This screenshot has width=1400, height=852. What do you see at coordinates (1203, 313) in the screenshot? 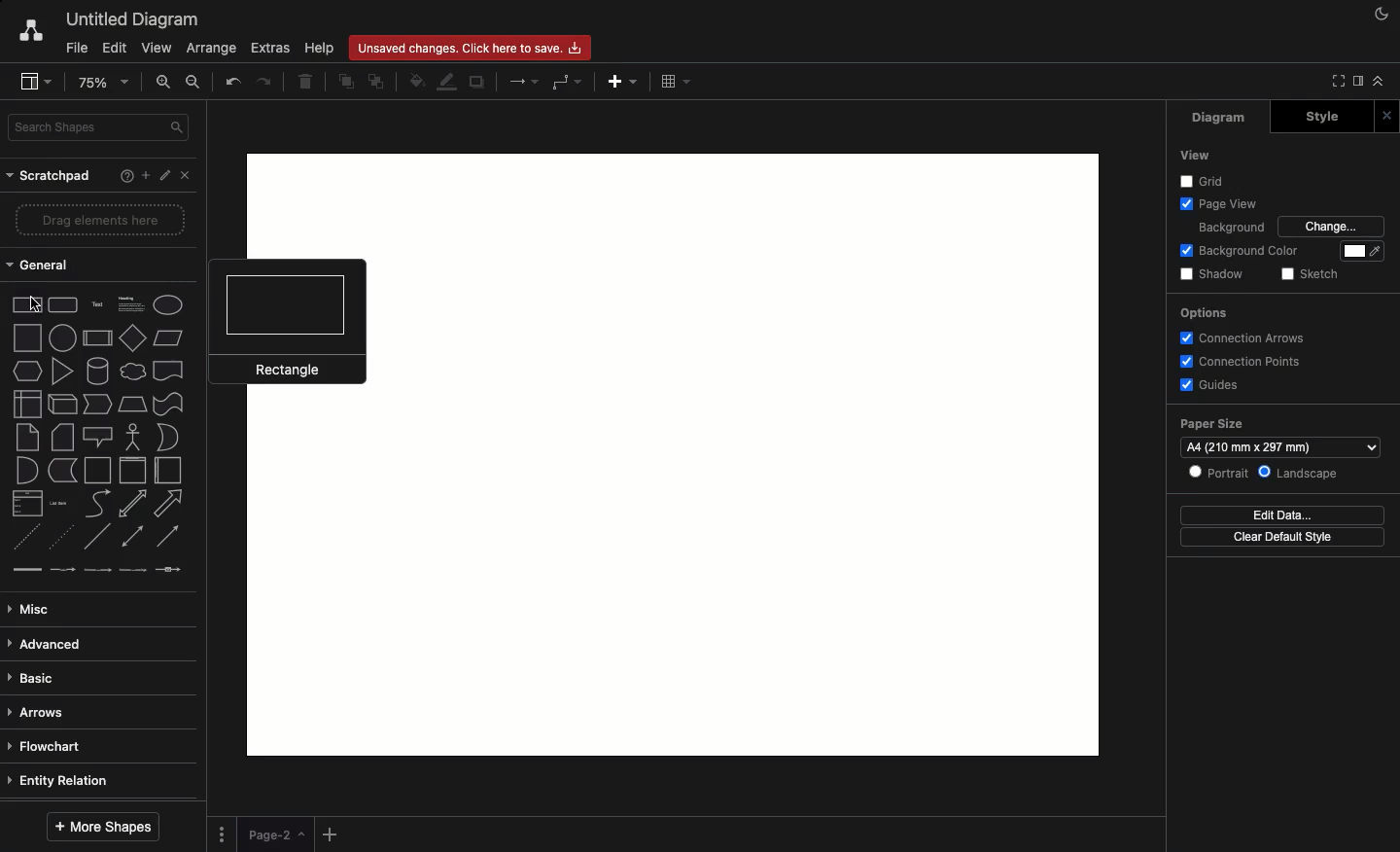
I see `Options` at bounding box center [1203, 313].